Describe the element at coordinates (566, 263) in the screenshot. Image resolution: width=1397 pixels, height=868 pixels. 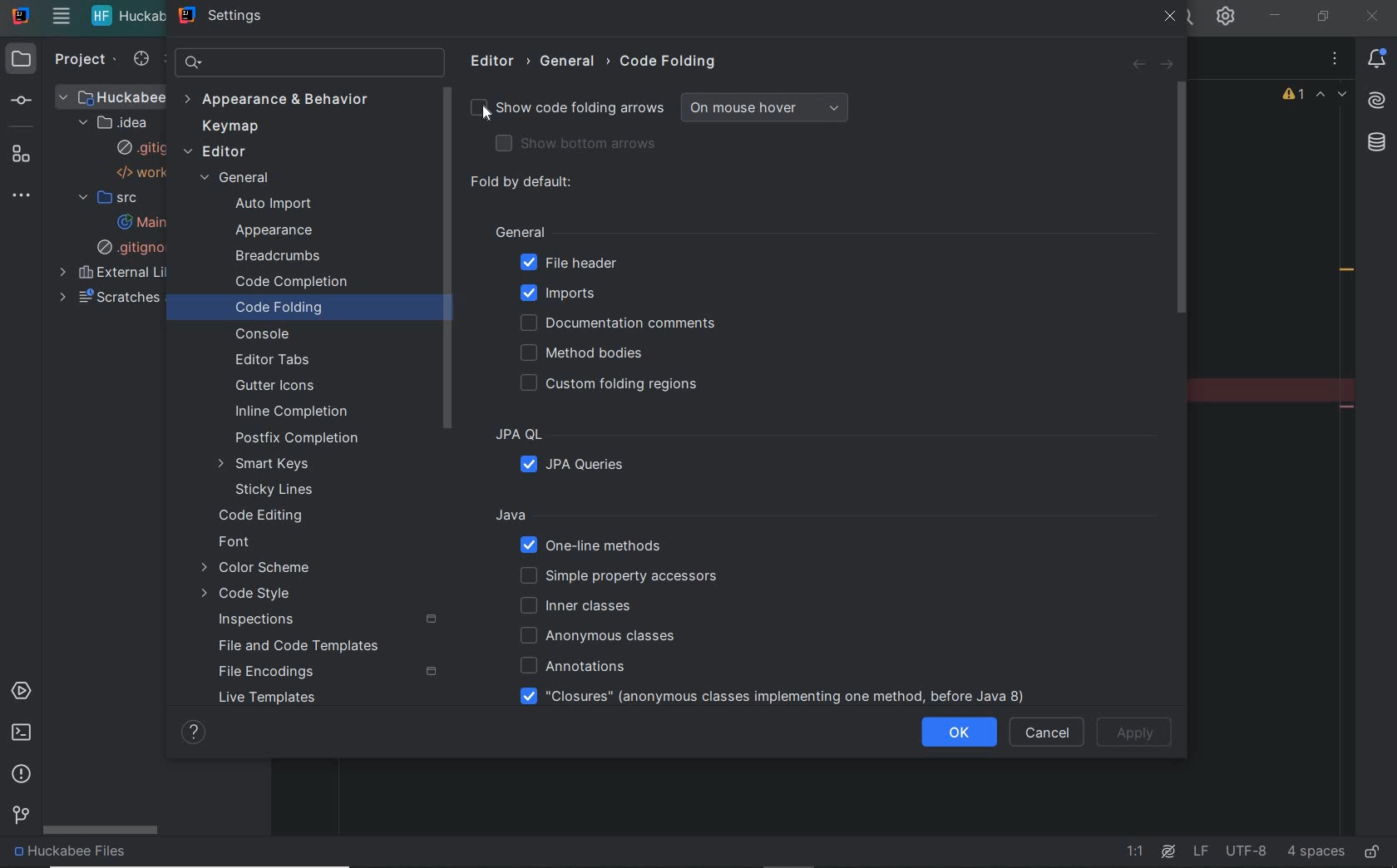
I see `file header` at that location.